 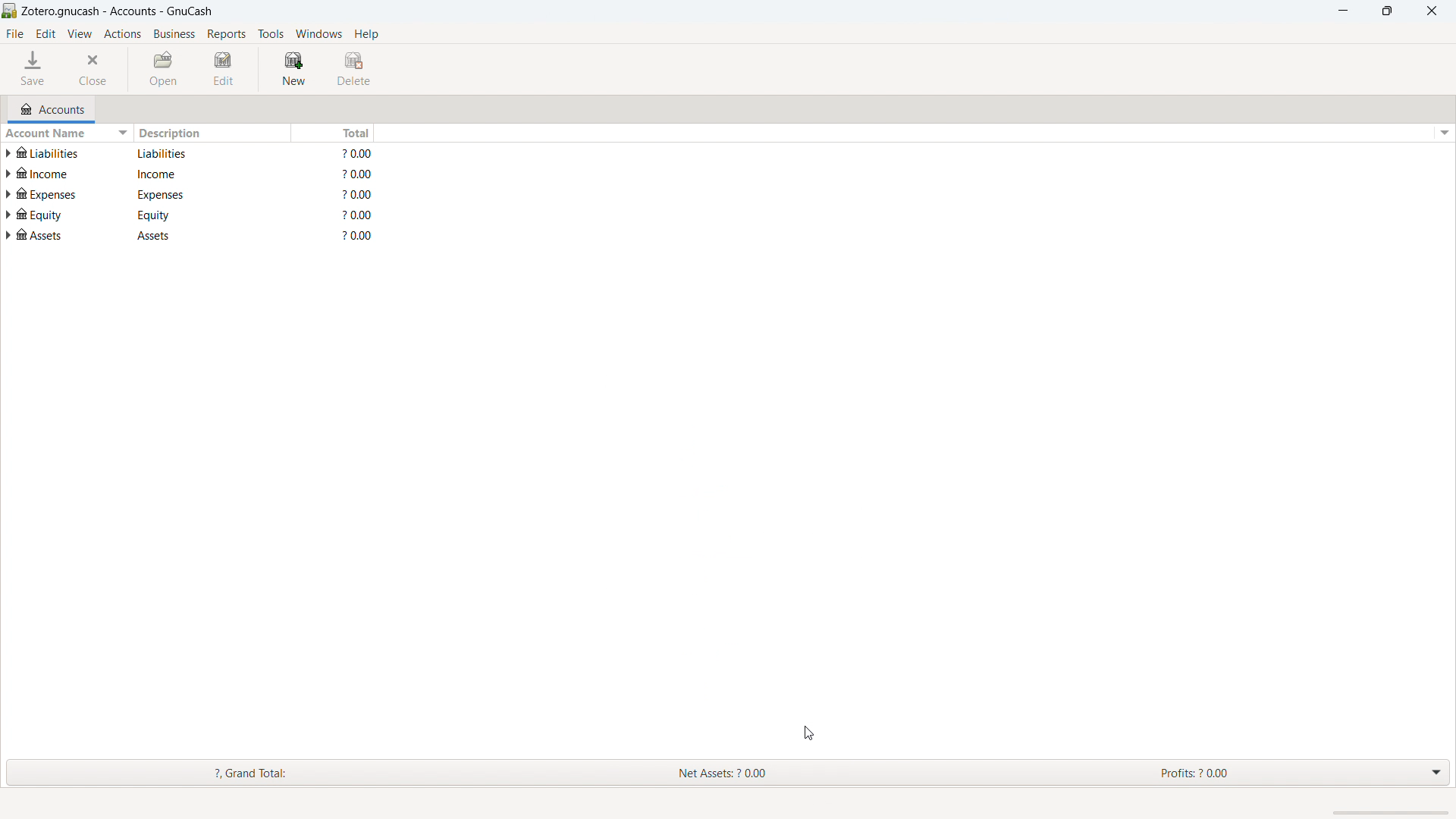 What do you see at coordinates (1341, 11) in the screenshot?
I see `minimize` at bounding box center [1341, 11].